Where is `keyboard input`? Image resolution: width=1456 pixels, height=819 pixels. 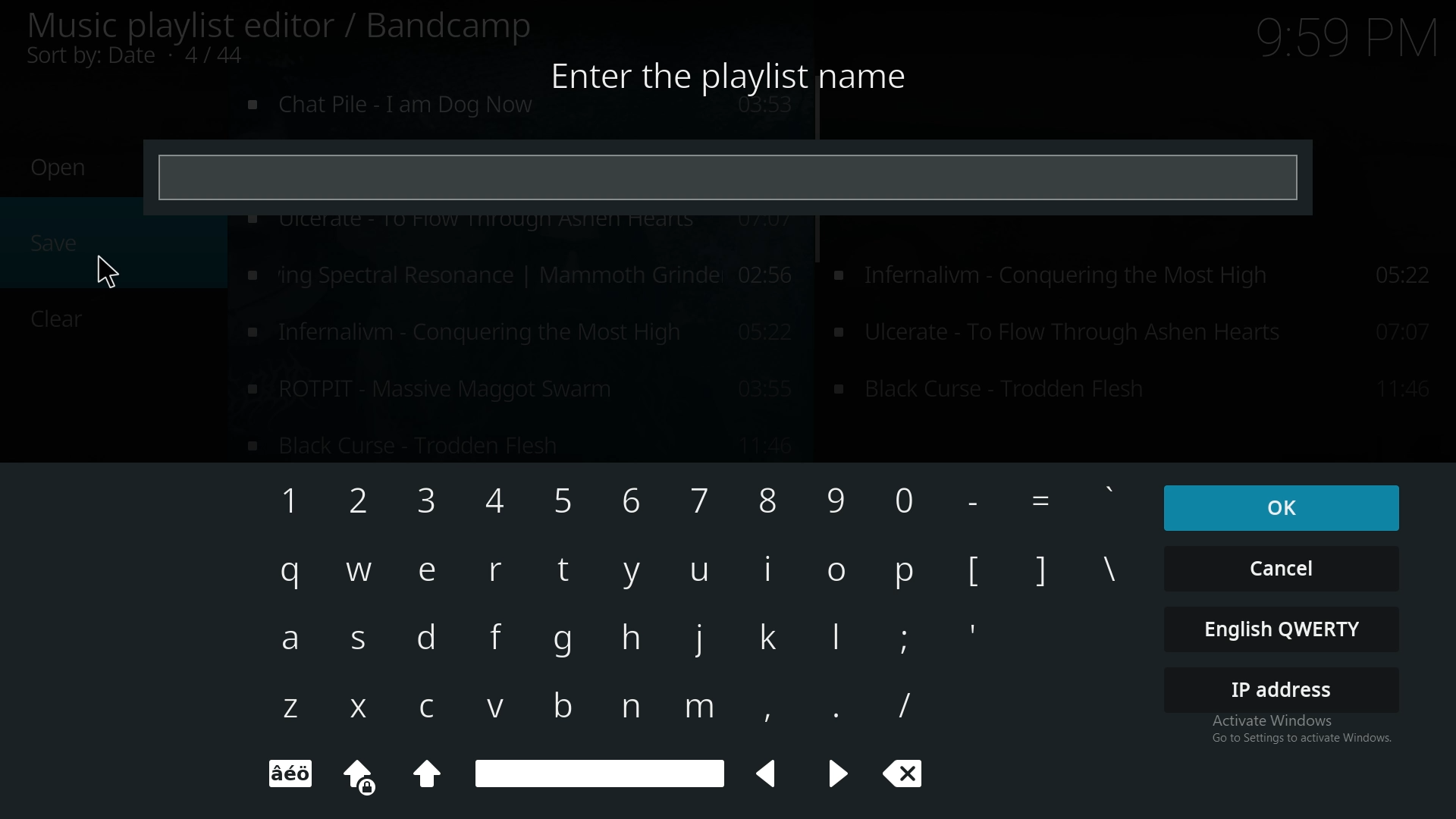
keyboard input is located at coordinates (904, 703).